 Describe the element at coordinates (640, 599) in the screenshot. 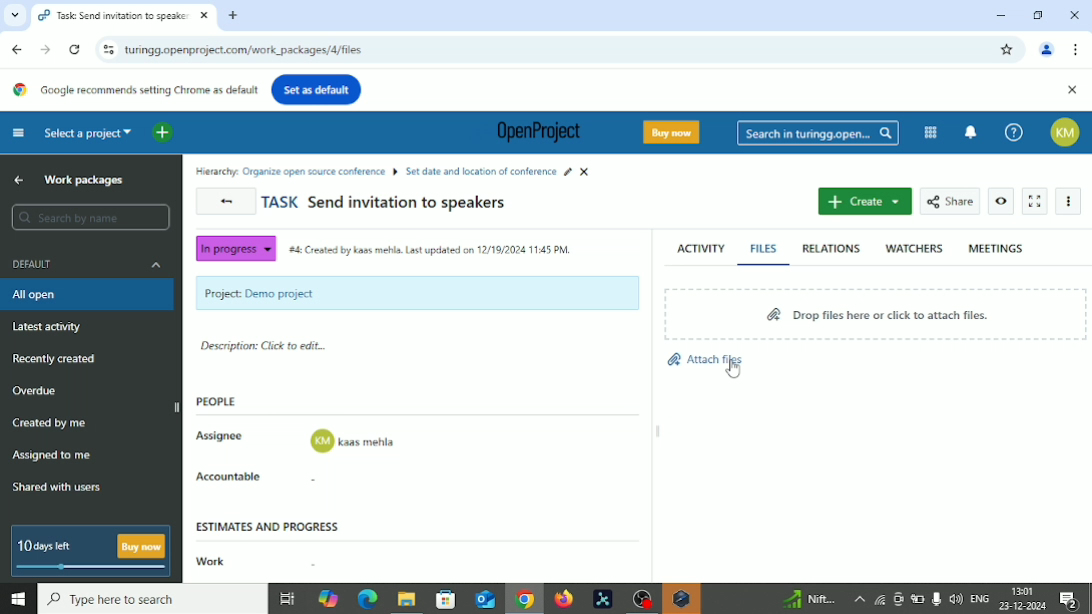

I see `OBS Studio` at that location.